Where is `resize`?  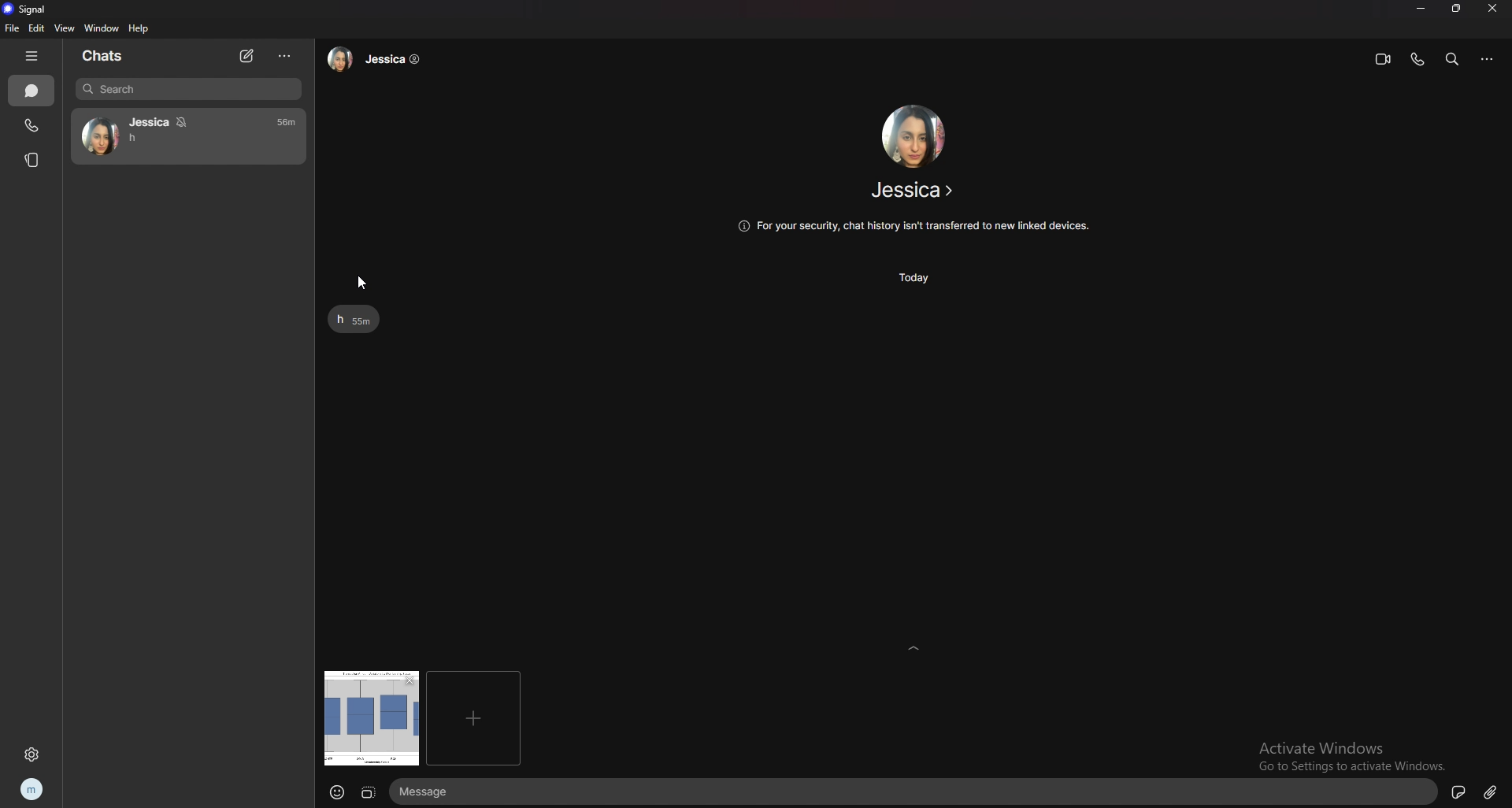
resize is located at coordinates (1457, 11).